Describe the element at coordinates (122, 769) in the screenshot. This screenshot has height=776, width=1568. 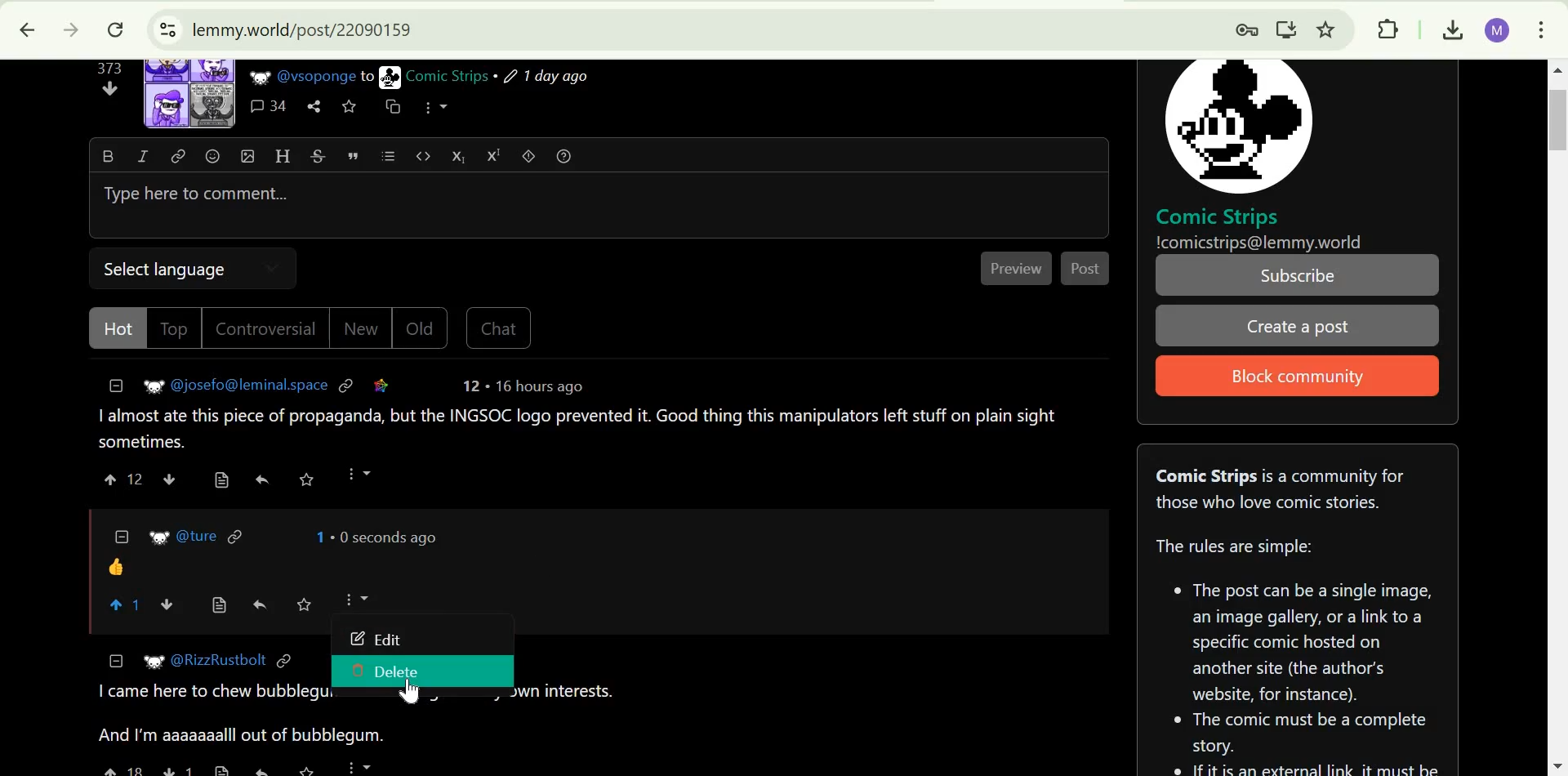
I see `upvote` at that location.